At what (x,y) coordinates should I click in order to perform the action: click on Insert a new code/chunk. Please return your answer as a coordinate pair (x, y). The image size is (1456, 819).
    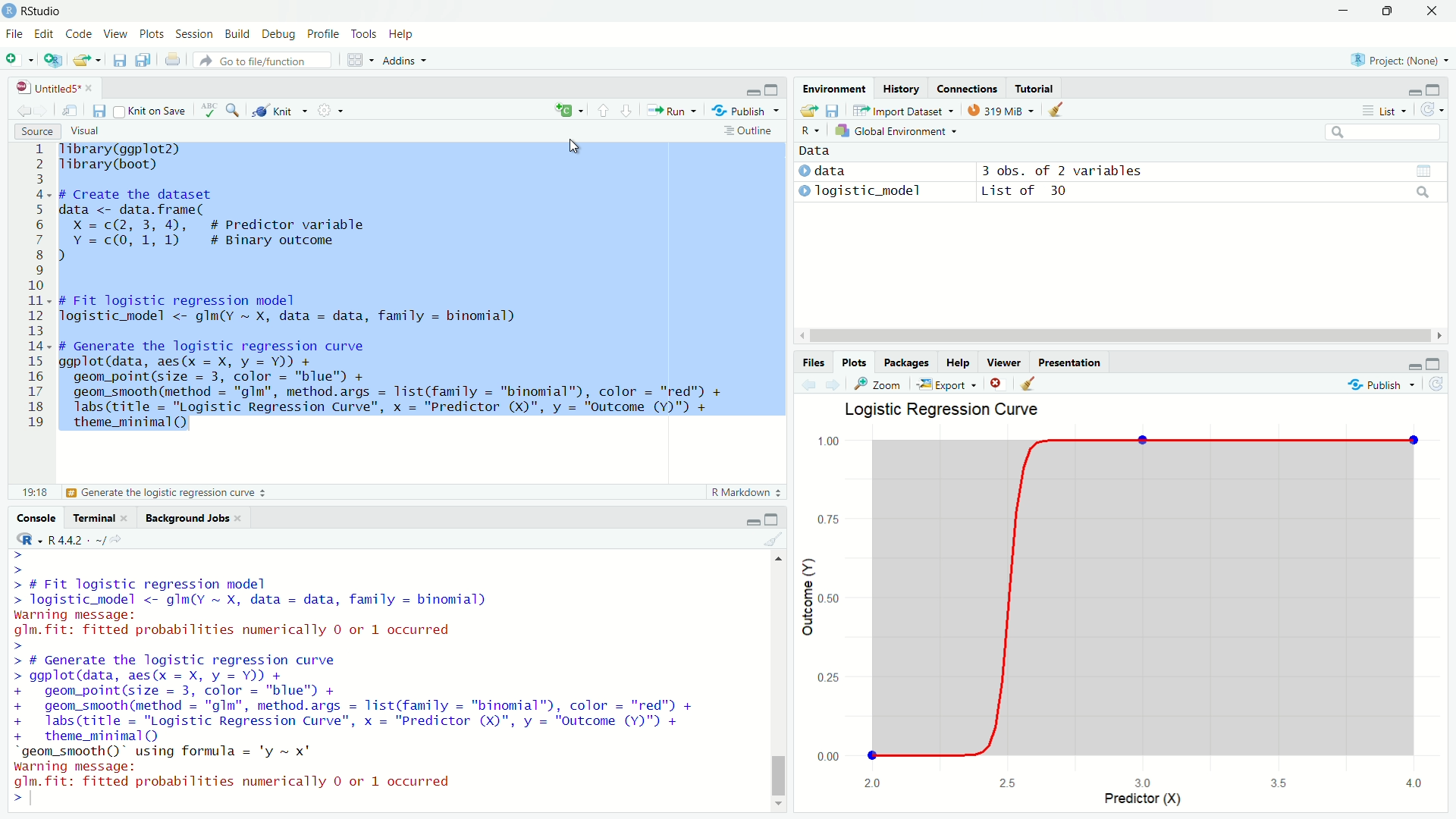
    Looking at the image, I should click on (570, 110).